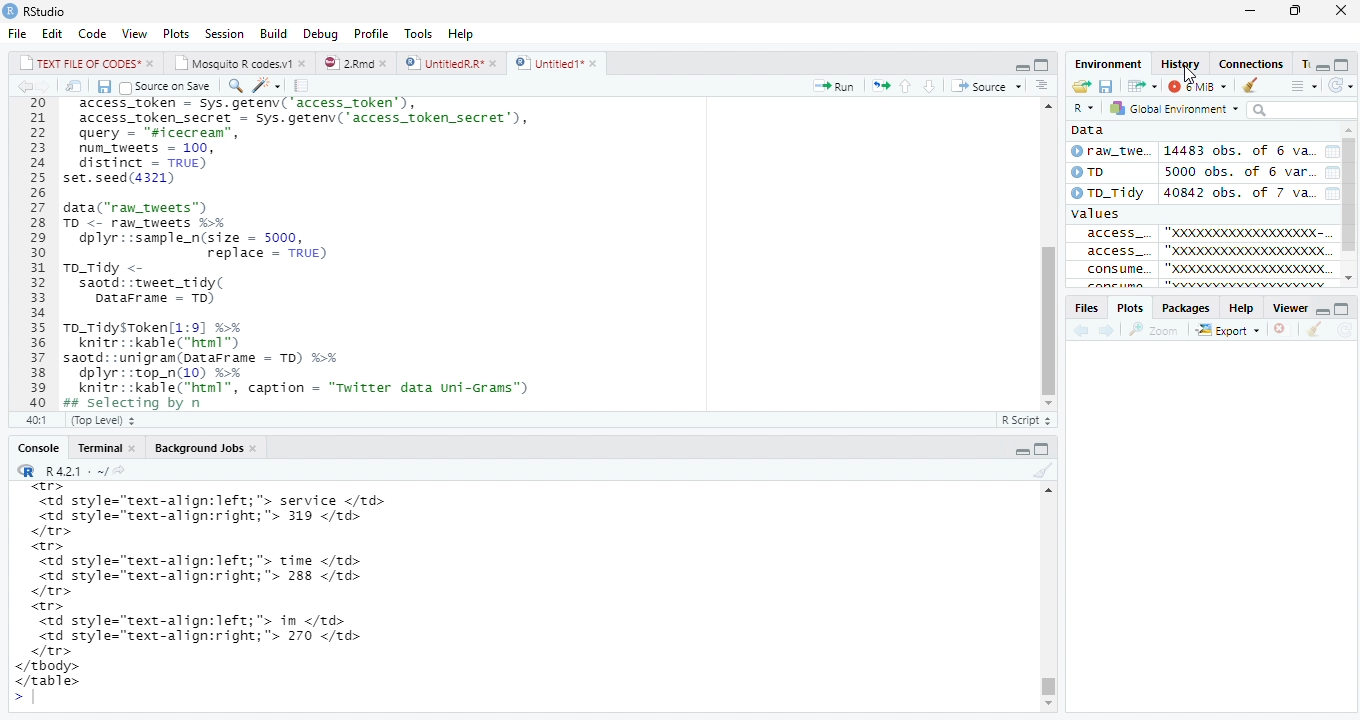 This screenshot has height=720, width=1360. I want to click on Profile, so click(371, 32).